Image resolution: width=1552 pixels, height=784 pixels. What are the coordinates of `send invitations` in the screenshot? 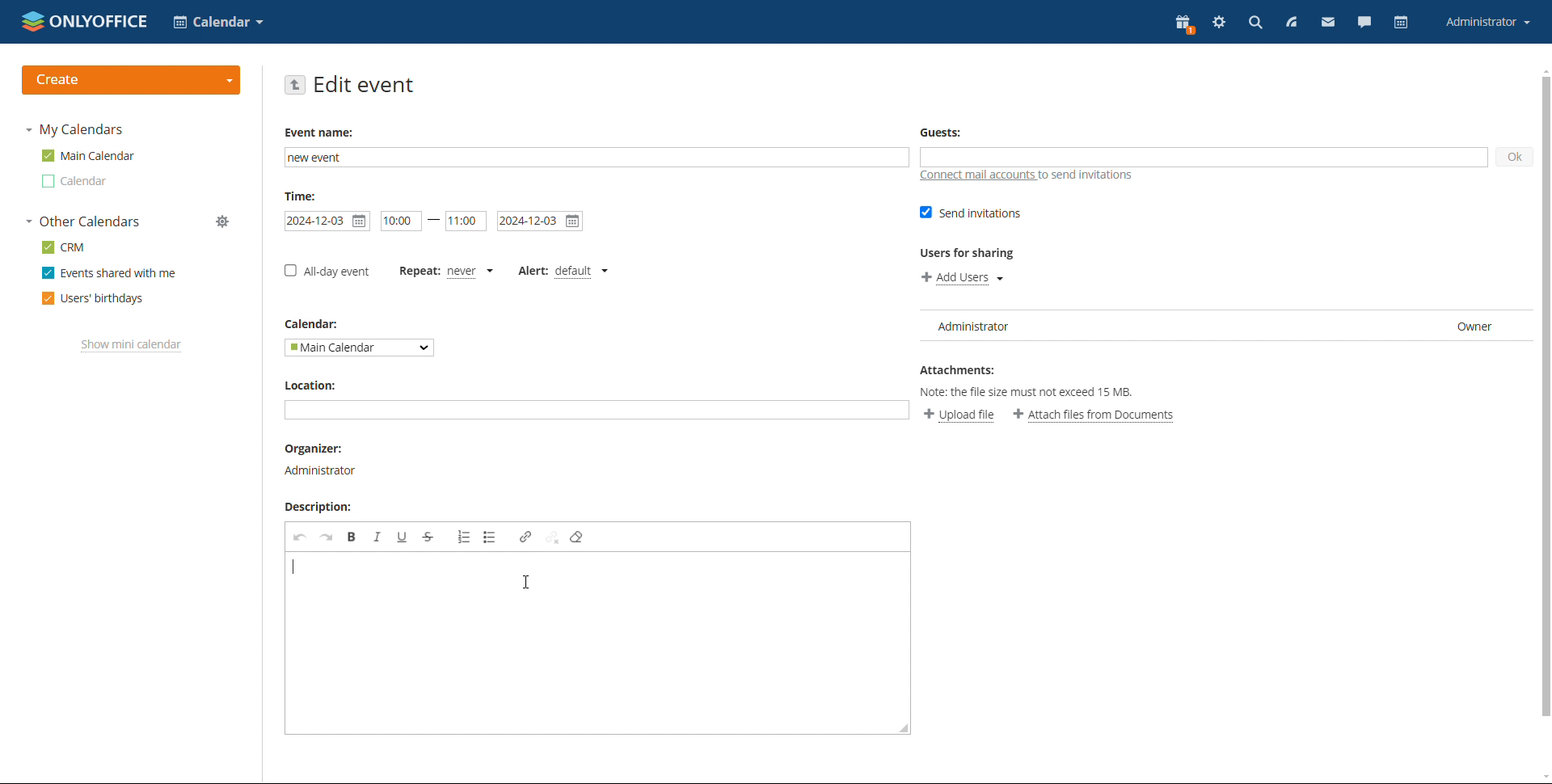 It's located at (972, 213).